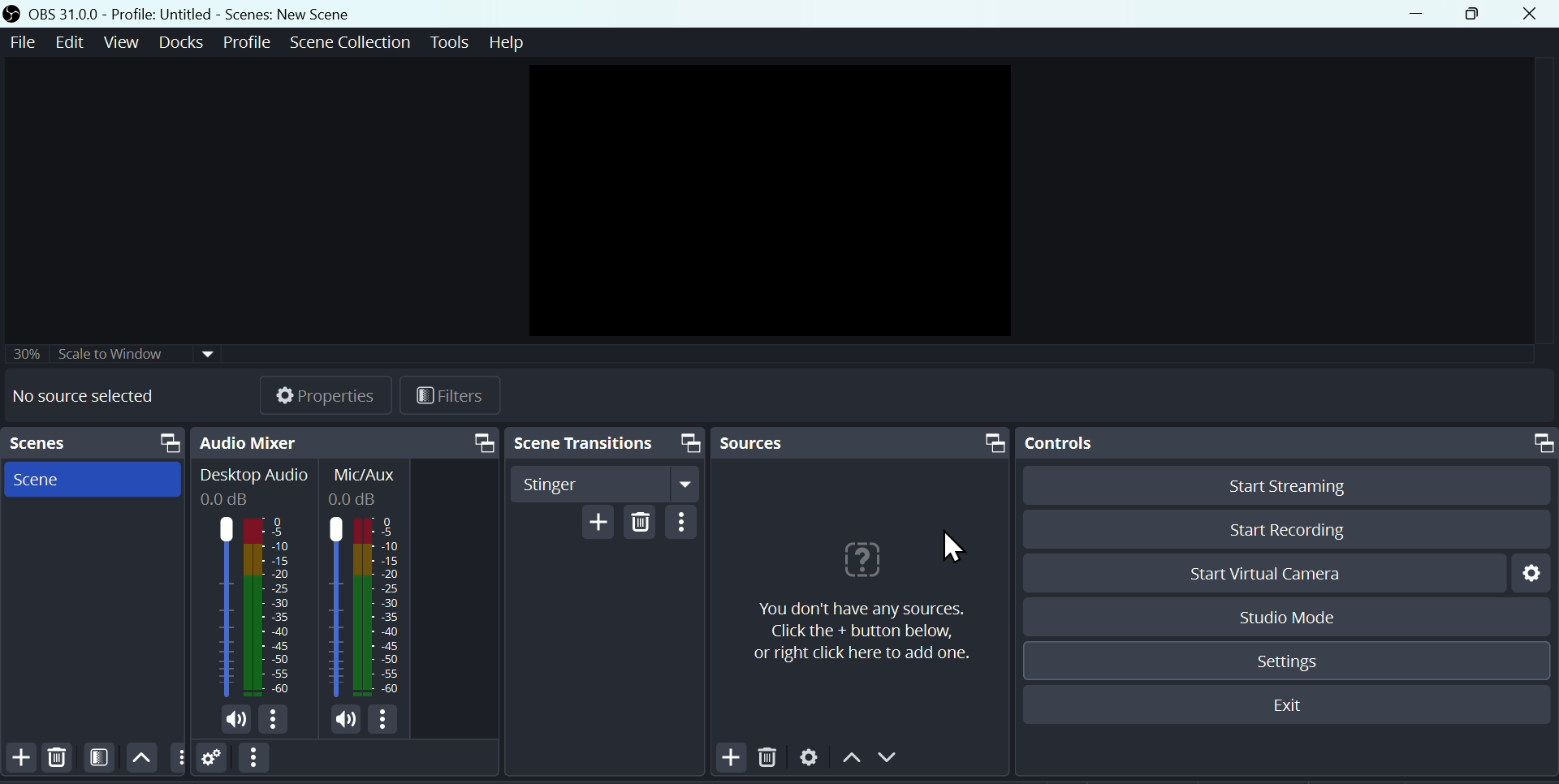 Image resolution: width=1559 pixels, height=784 pixels. I want to click on video clip, so click(767, 200).